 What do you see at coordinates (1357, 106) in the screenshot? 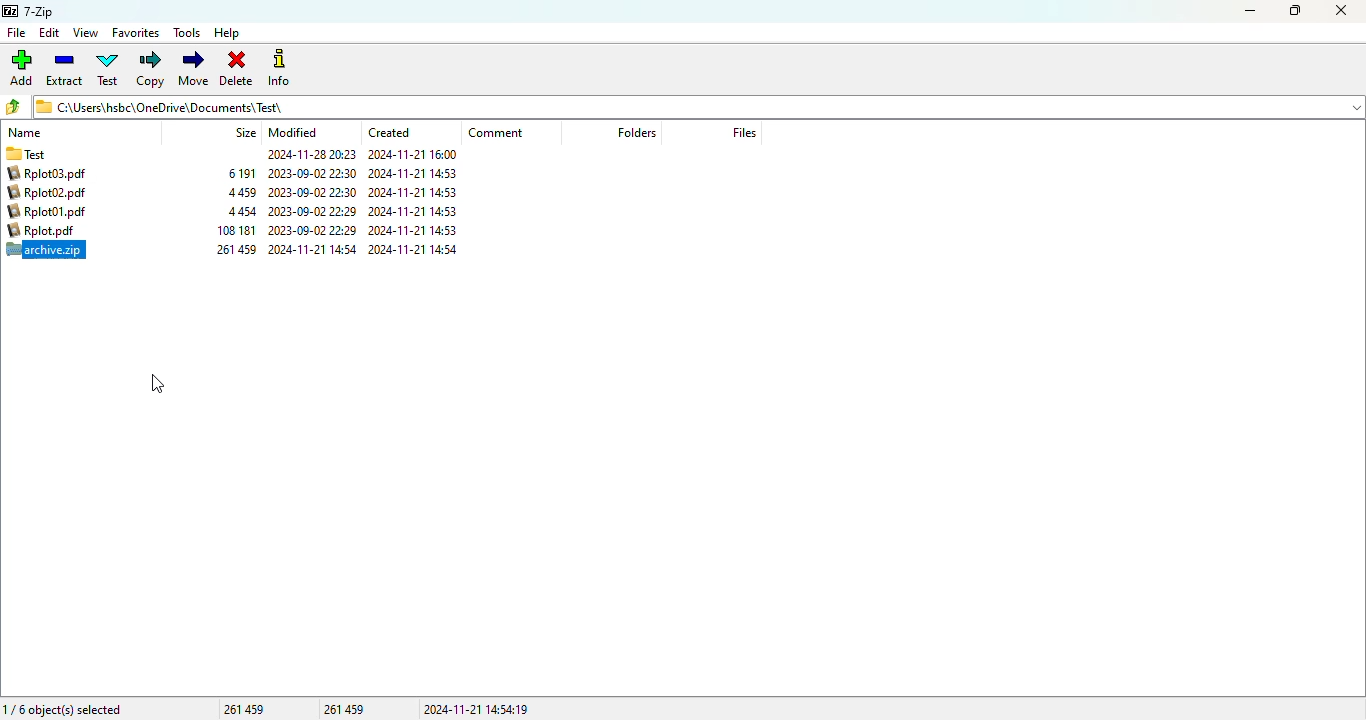
I see `dropdown` at bounding box center [1357, 106].